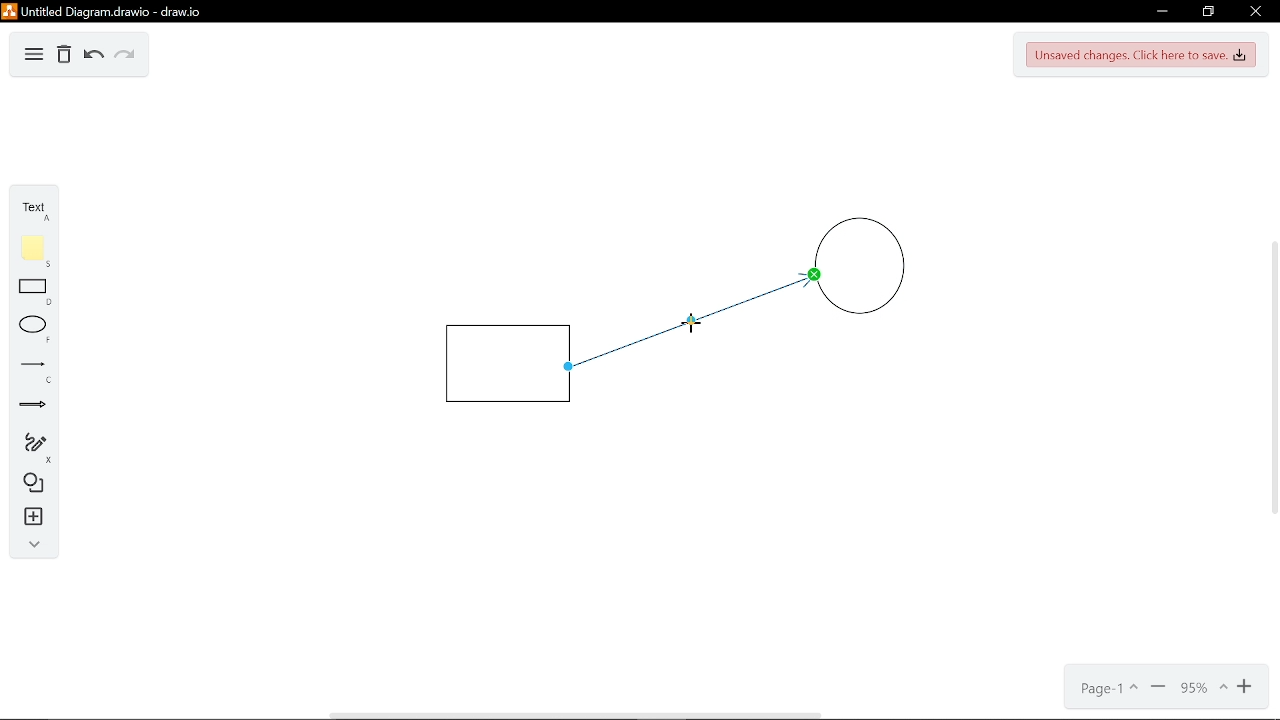 The image size is (1280, 720). I want to click on Rectangle, so click(507, 363).